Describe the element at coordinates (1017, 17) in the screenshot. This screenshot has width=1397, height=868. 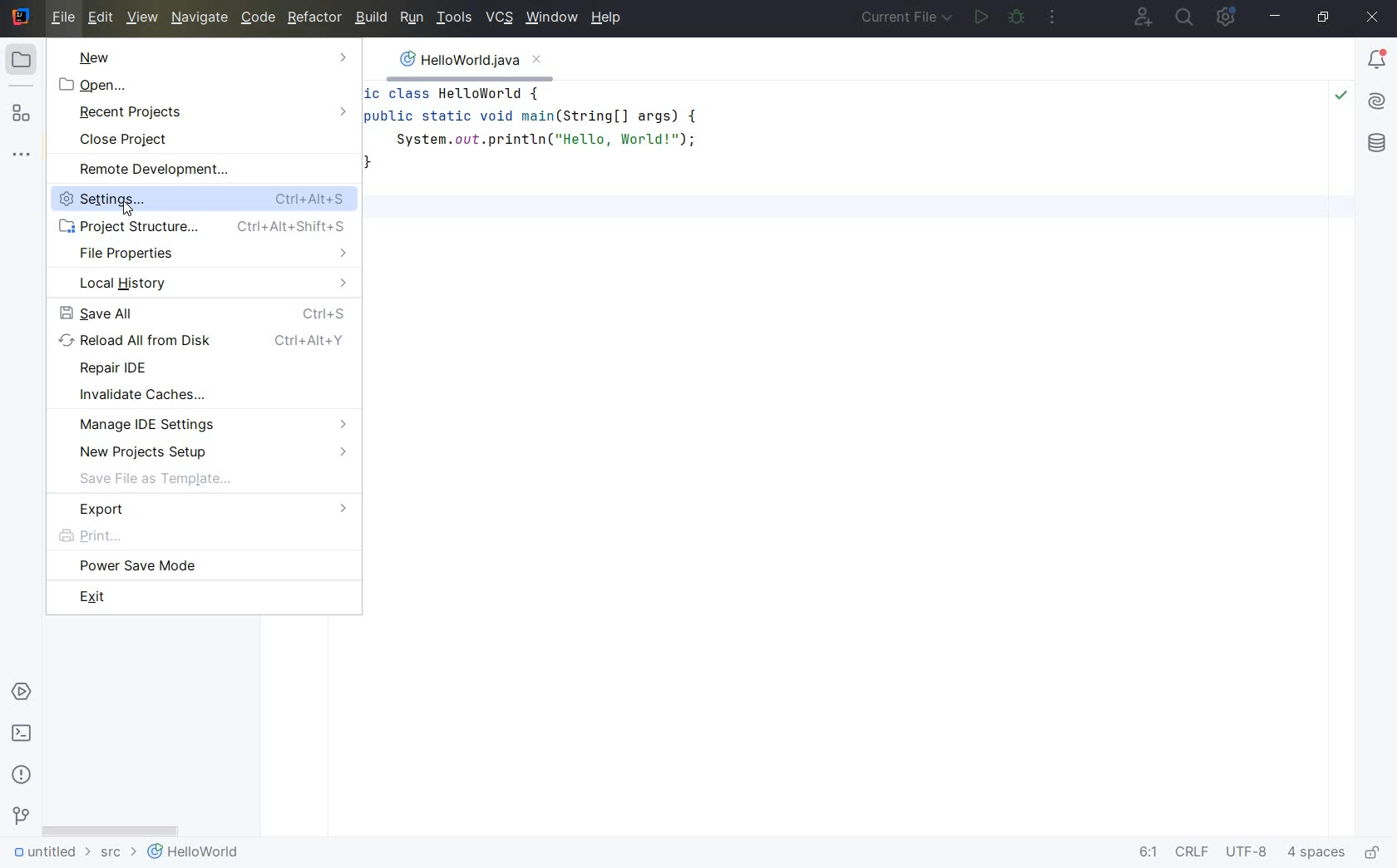
I see `debug` at that location.